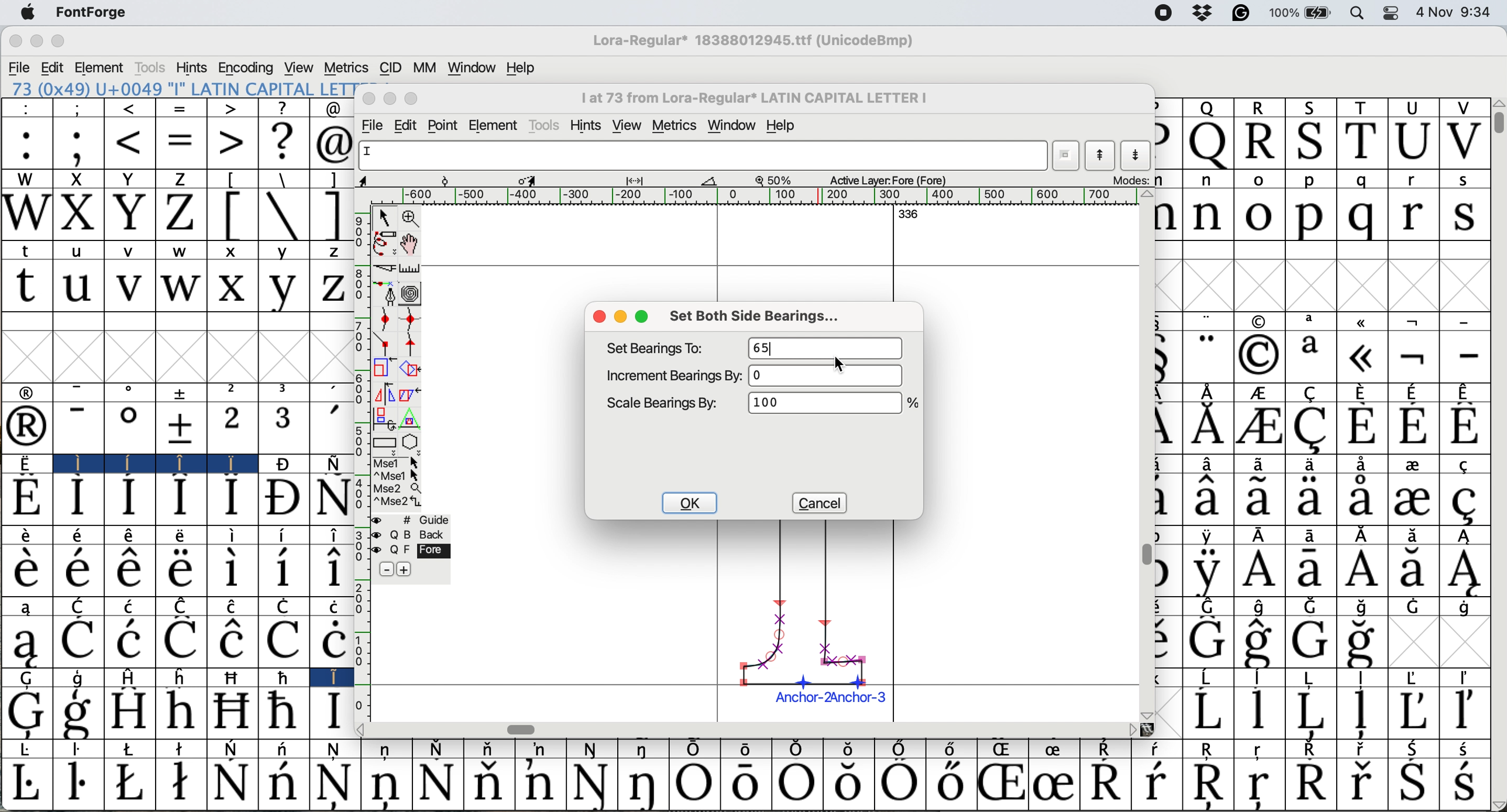 The height and width of the screenshot is (812, 1507). I want to click on Symbol, so click(1364, 749).